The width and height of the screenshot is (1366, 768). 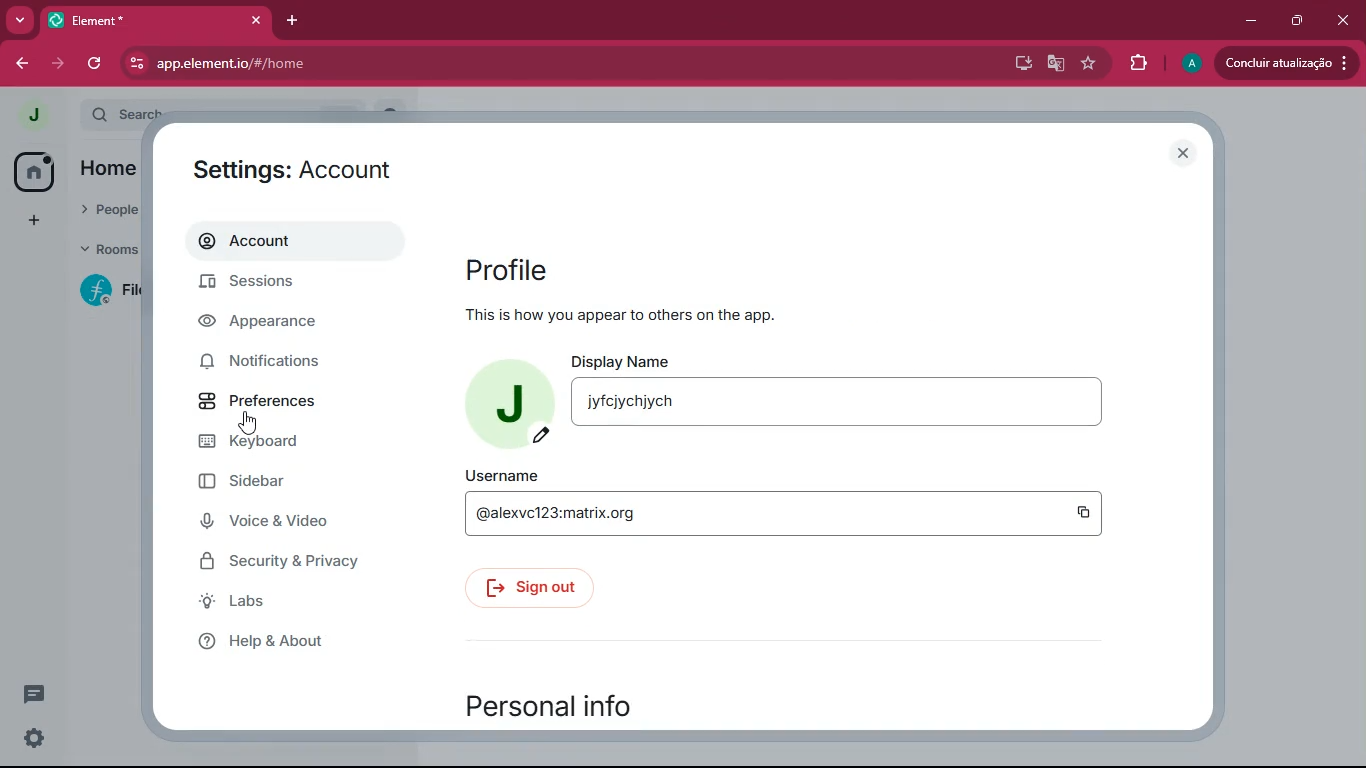 What do you see at coordinates (1137, 66) in the screenshot?
I see `extensions` at bounding box center [1137, 66].